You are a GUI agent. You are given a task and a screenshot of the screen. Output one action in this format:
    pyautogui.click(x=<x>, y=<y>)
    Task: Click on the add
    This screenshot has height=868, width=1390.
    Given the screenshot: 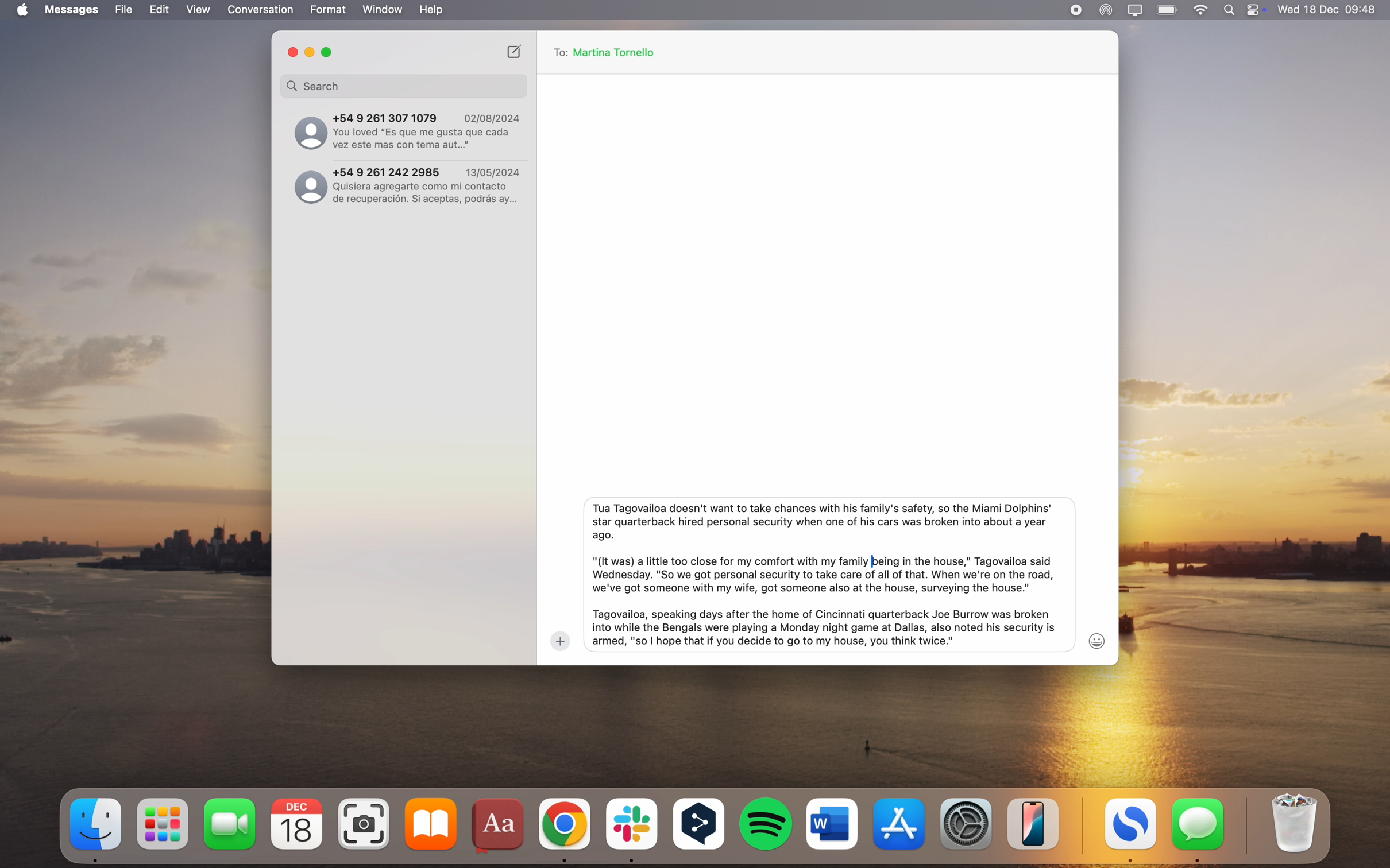 What is the action you would take?
    pyautogui.click(x=560, y=641)
    